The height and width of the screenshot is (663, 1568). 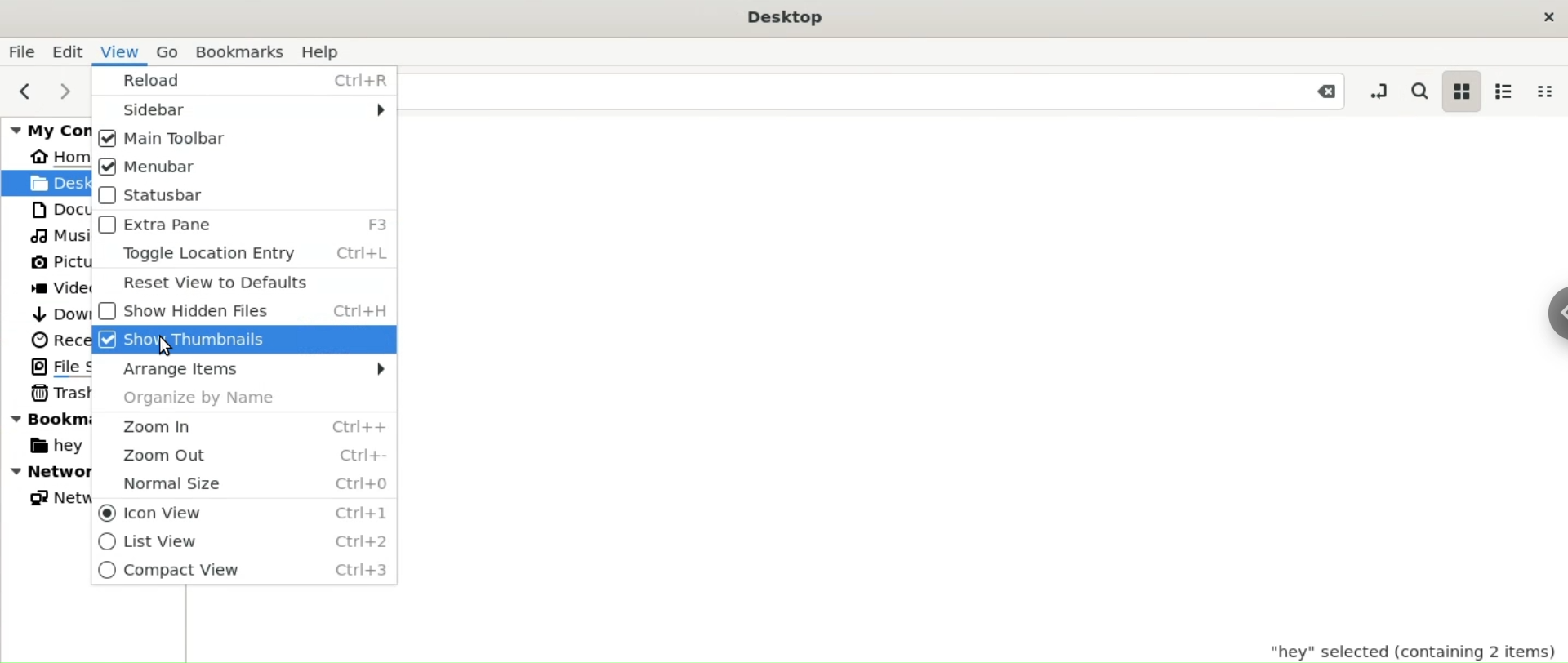 What do you see at coordinates (245, 366) in the screenshot?
I see `Arrange Items` at bounding box center [245, 366].